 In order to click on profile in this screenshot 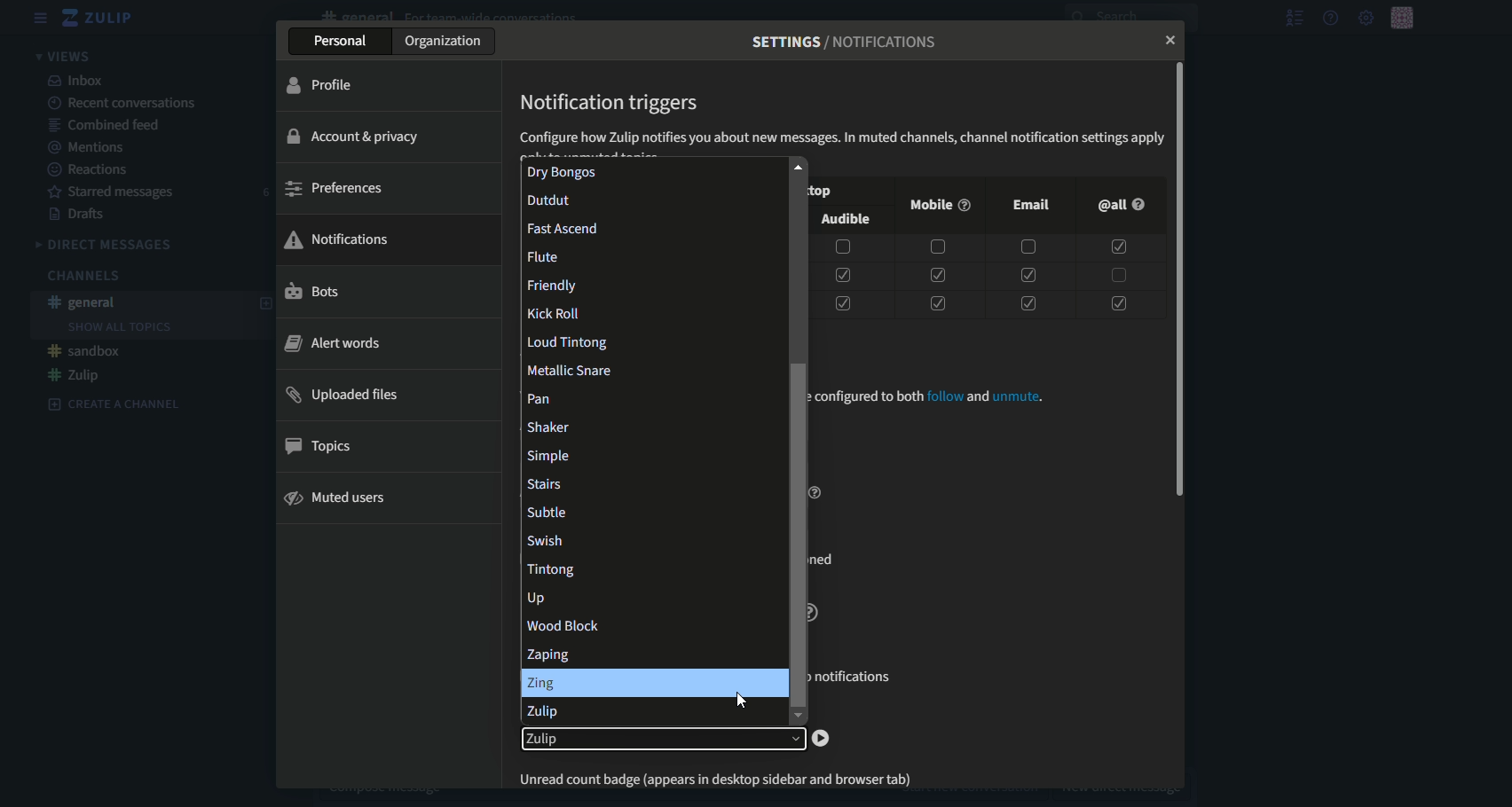, I will do `click(323, 85)`.